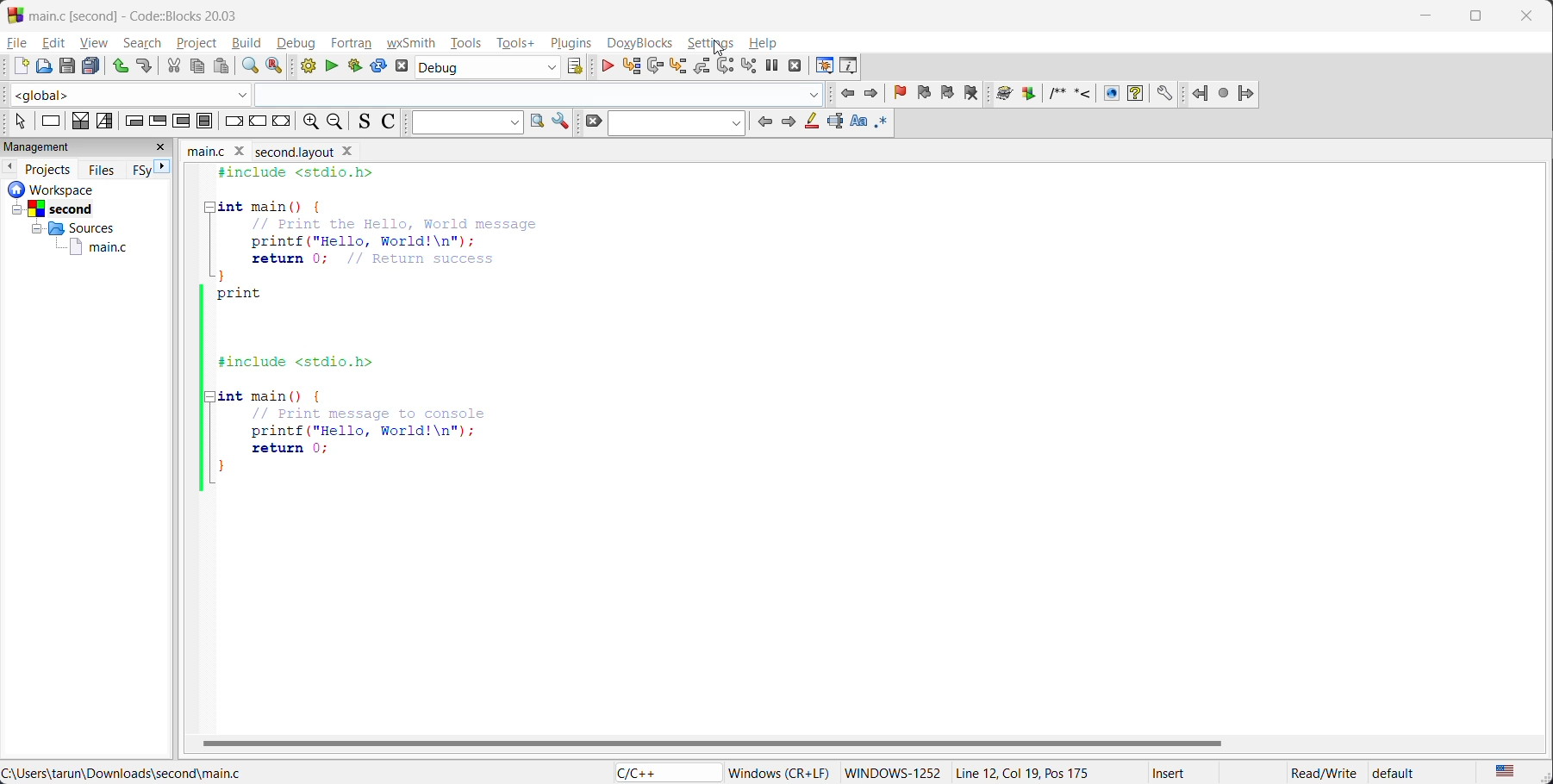  I want to click on match case, so click(856, 122).